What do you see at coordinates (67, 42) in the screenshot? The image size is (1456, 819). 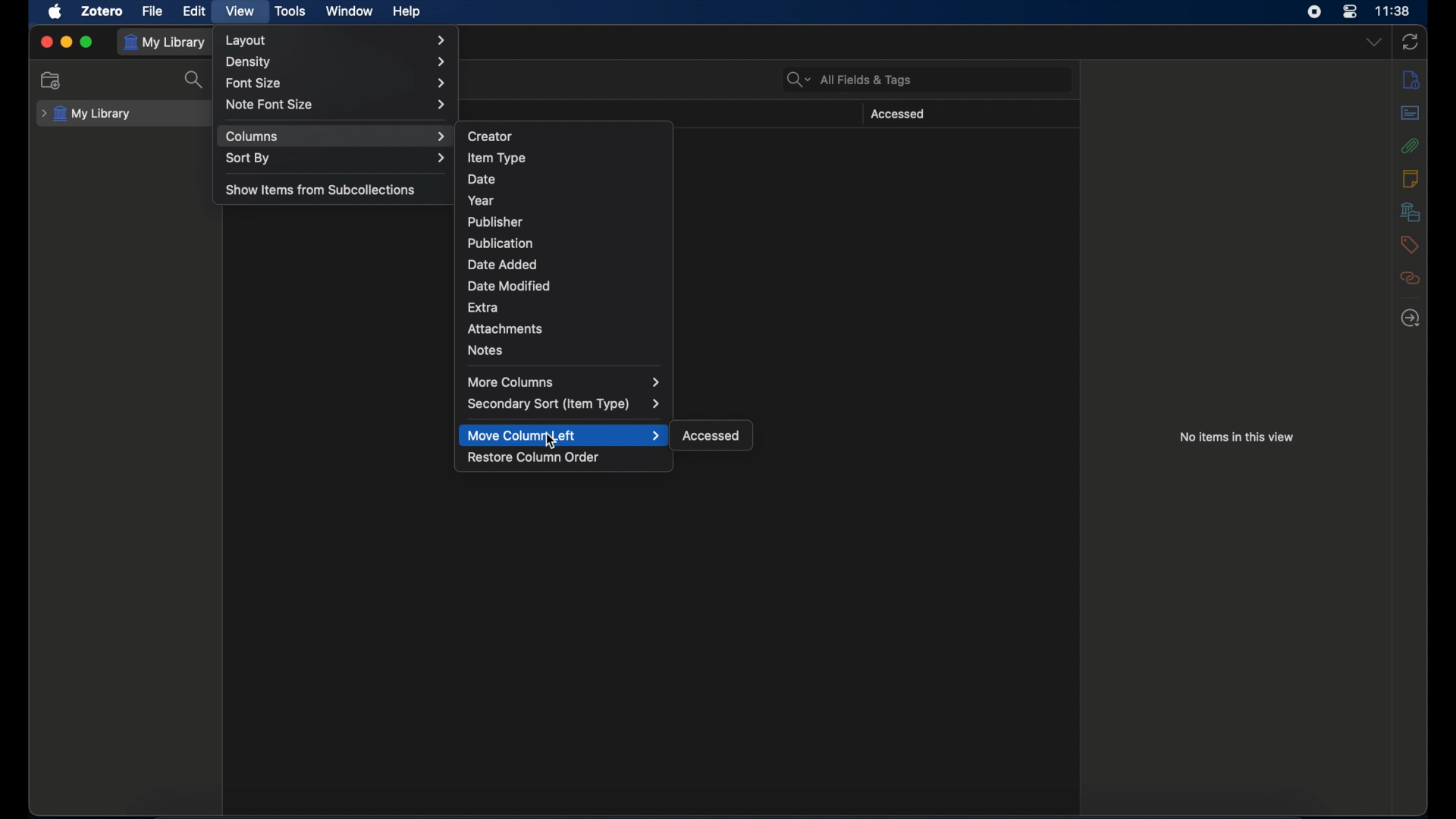 I see `minimize` at bounding box center [67, 42].